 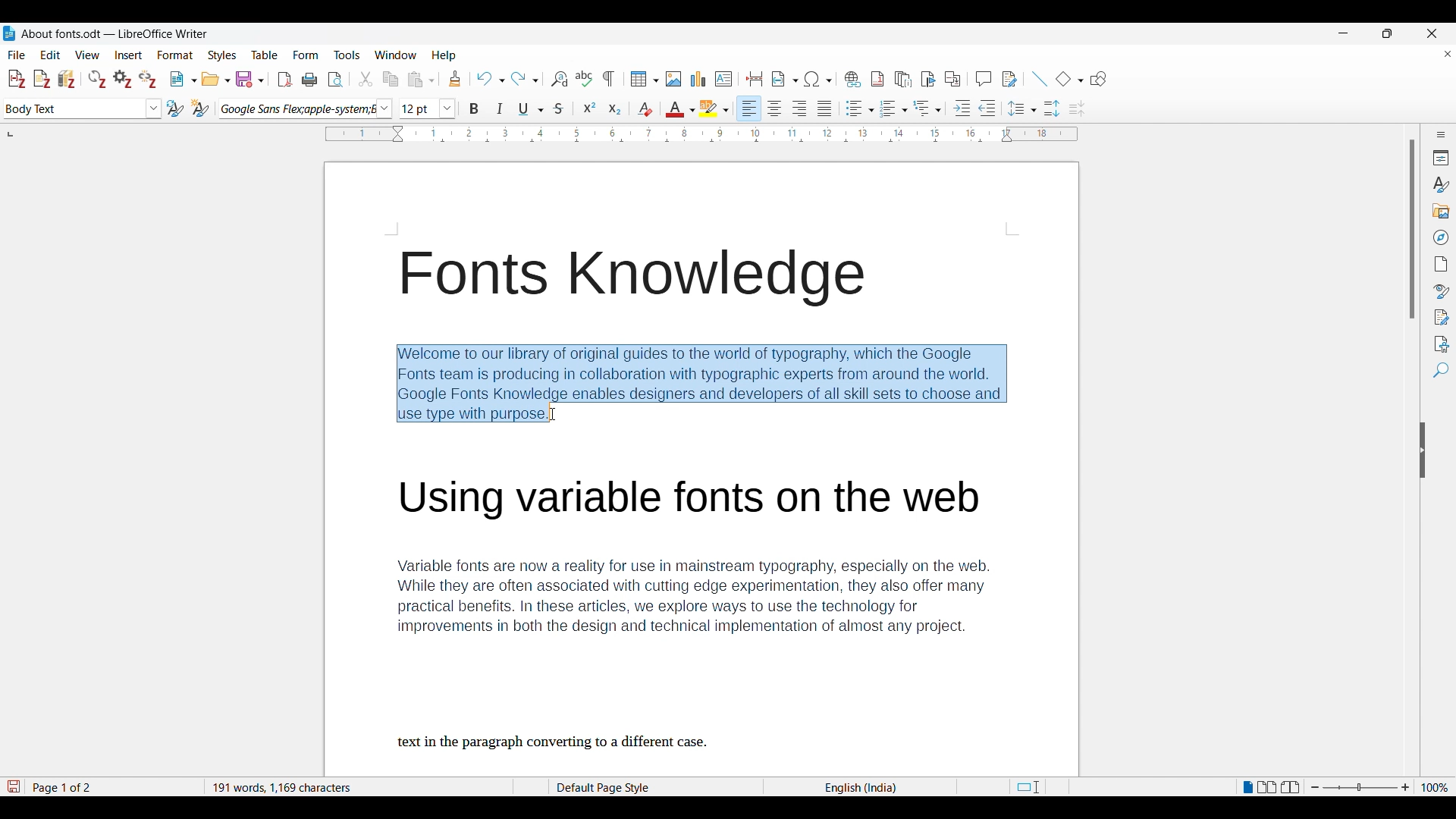 What do you see at coordinates (285, 80) in the screenshot?
I see `Export directly as PDF` at bounding box center [285, 80].